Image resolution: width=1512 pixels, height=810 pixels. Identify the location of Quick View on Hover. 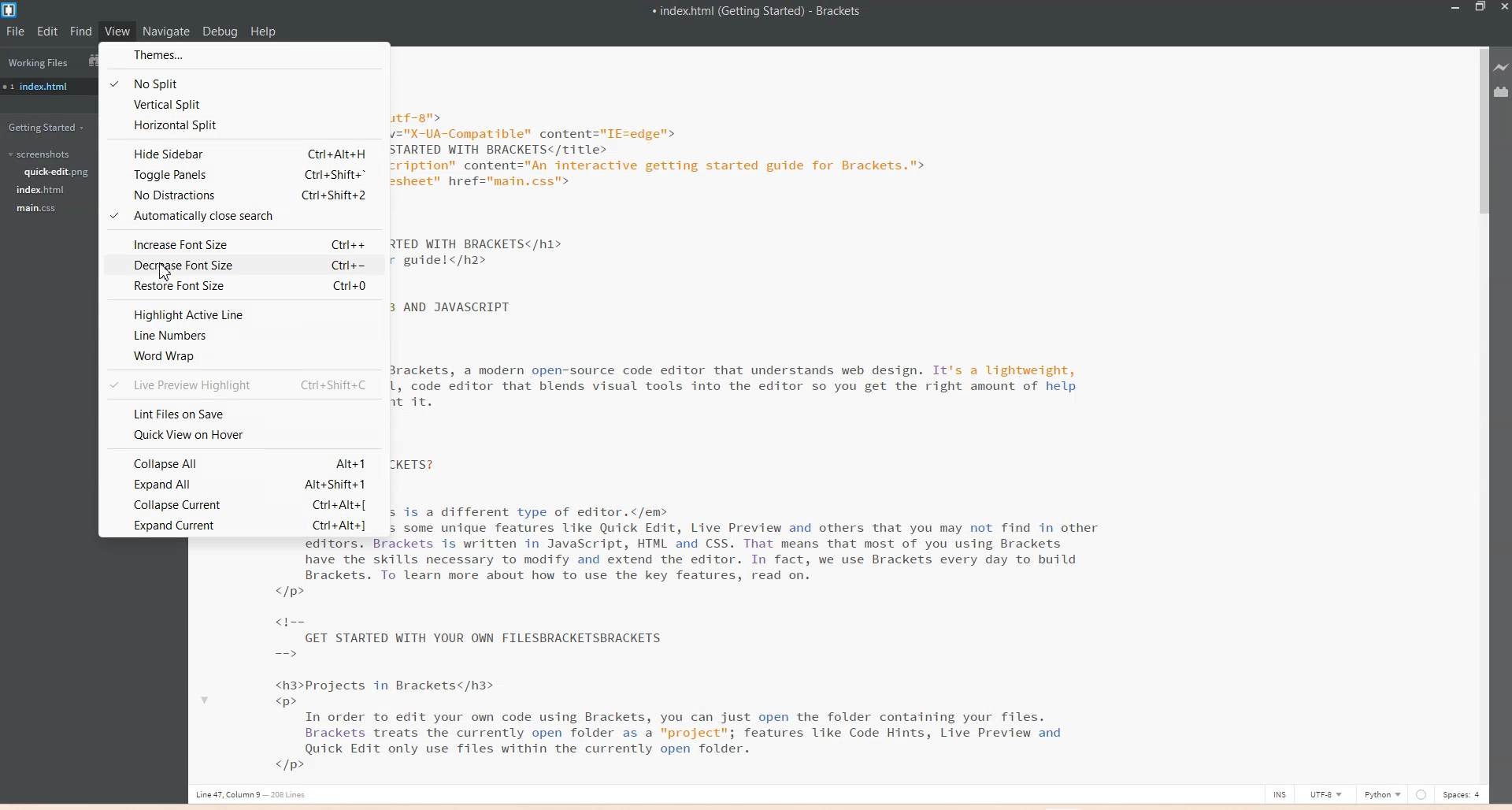
(246, 434).